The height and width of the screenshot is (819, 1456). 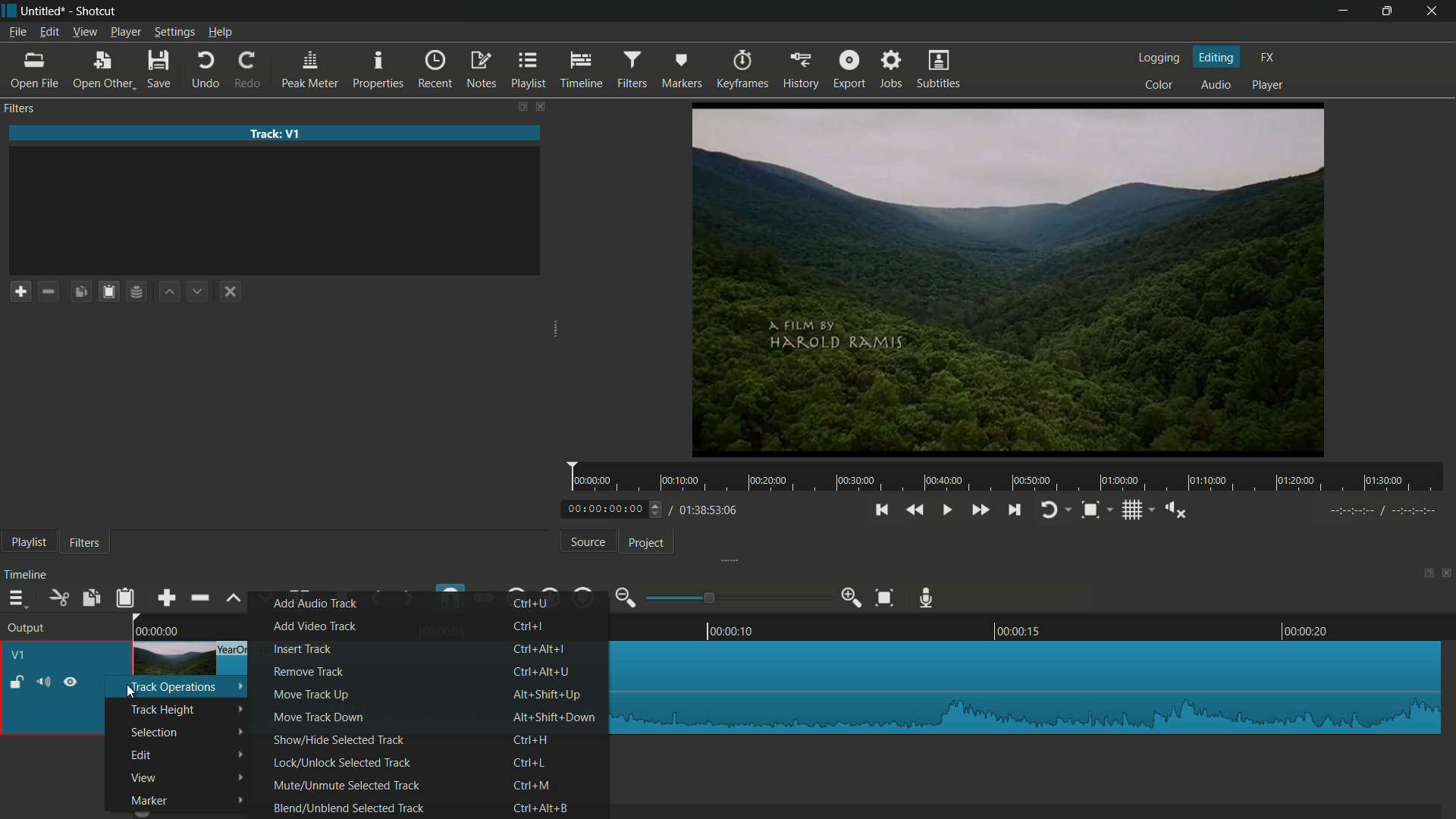 What do you see at coordinates (312, 626) in the screenshot?
I see `add video track` at bounding box center [312, 626].